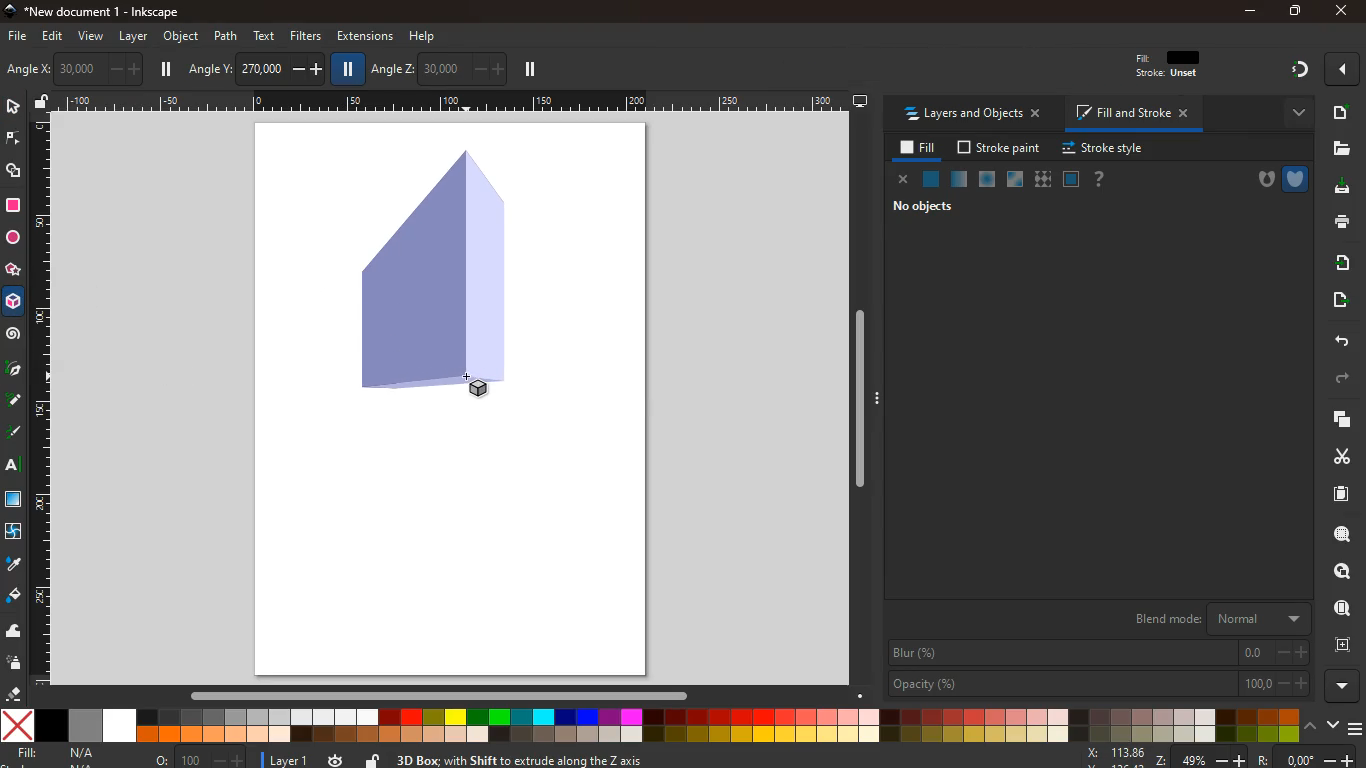 Image resolution: width=1366 pixels, height=768 pixels. I want to click on paint, so click(13, 597).